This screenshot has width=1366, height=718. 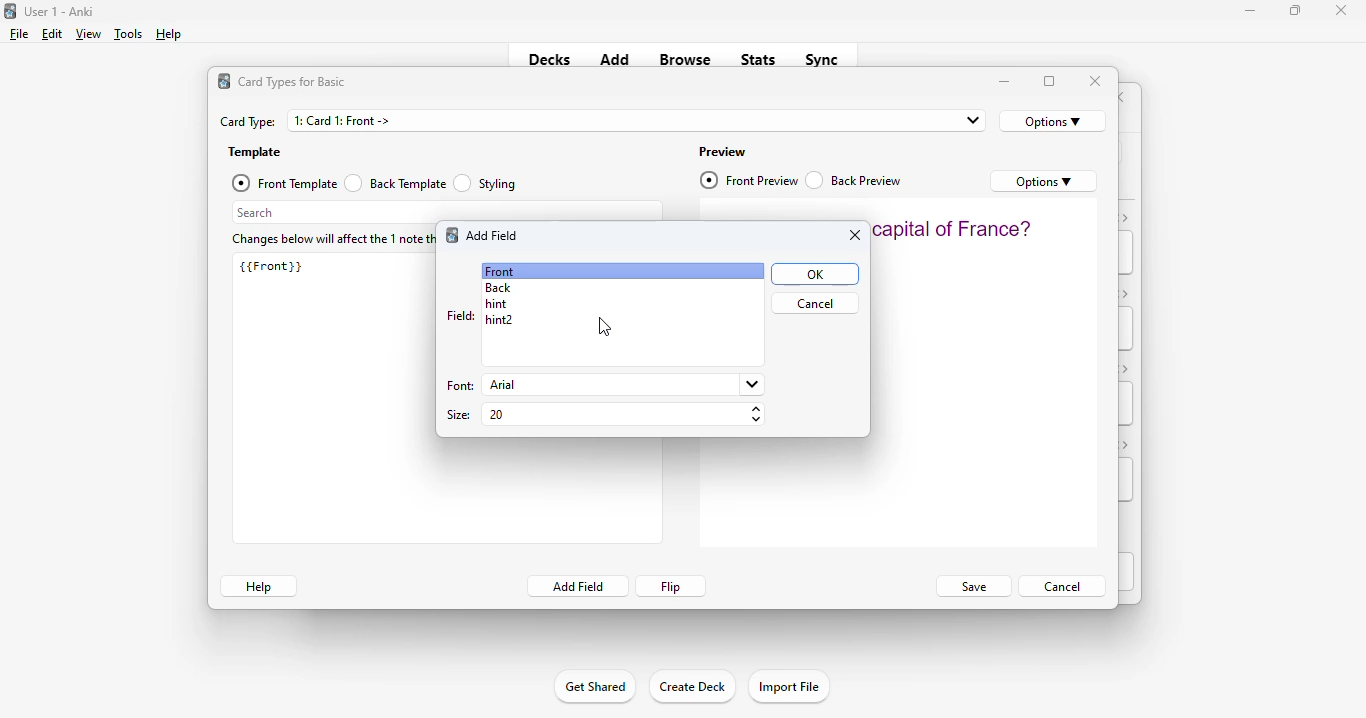 I want to click on import file, so click(x=788, y=687).